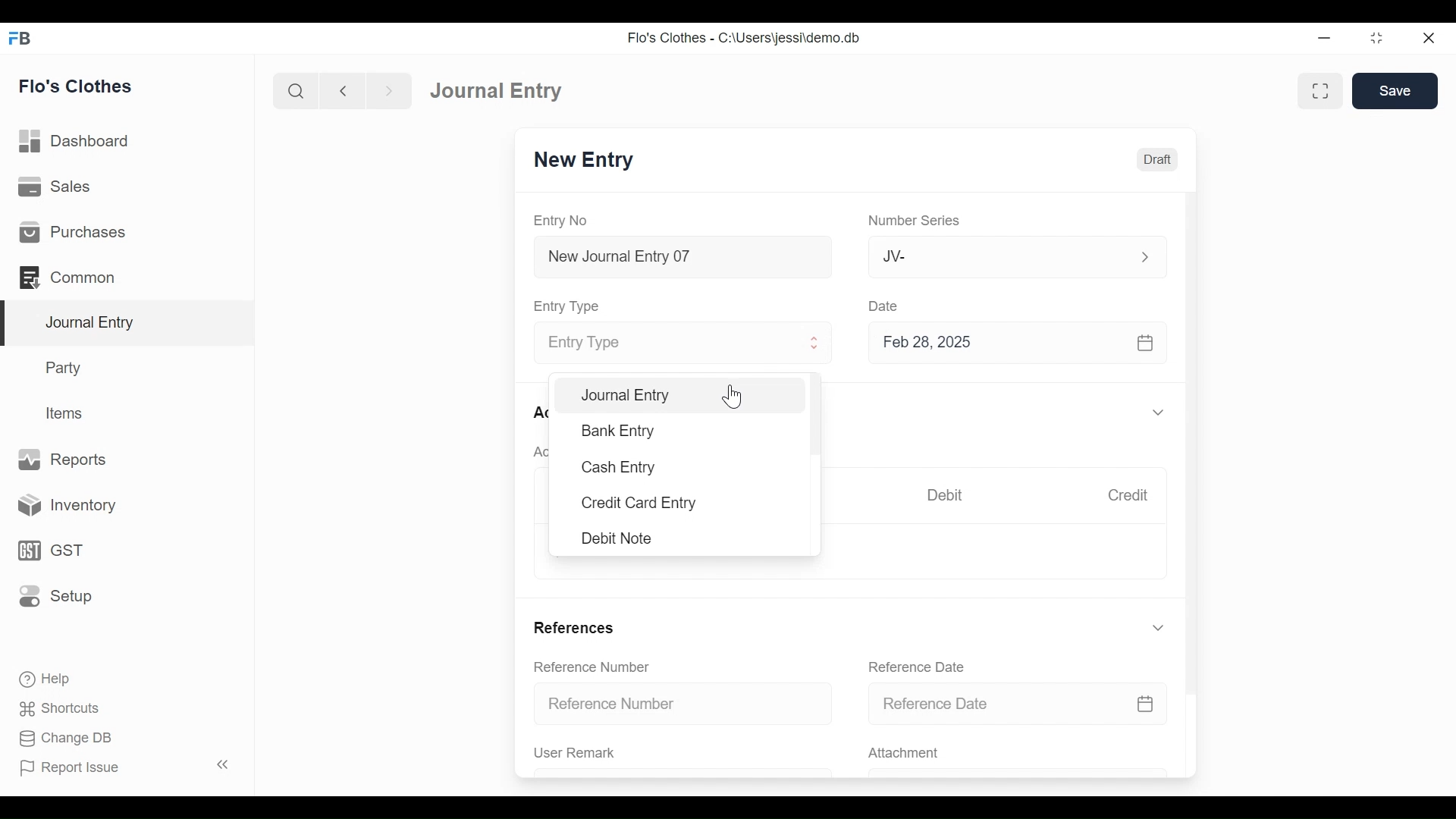  Describe the element at coordinates (61, 507) in the screenshot. I see `Inventory` at that location.